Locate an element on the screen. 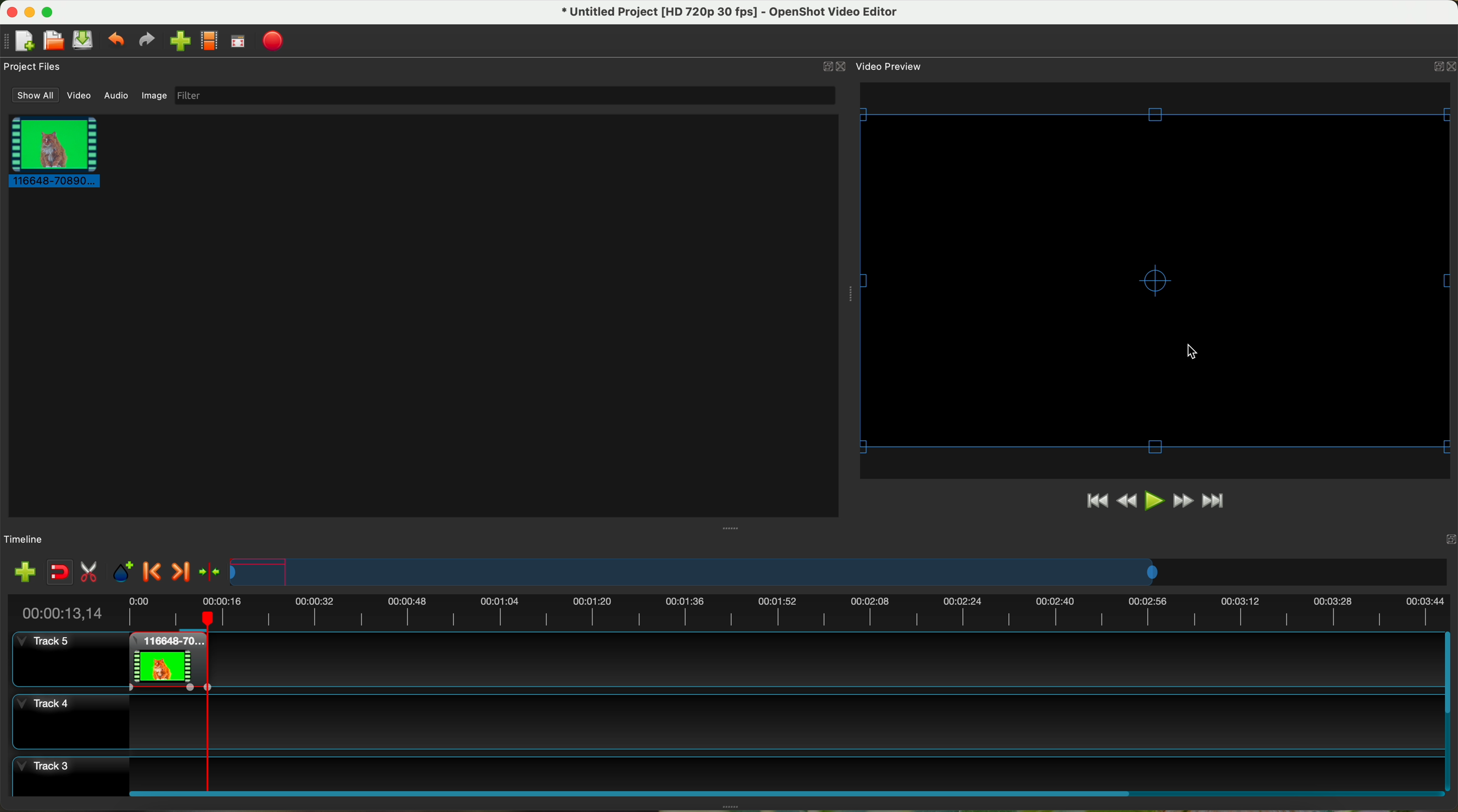 The width and height of the screenshot is (1458, 812). image is located at coordinates (154, 97).